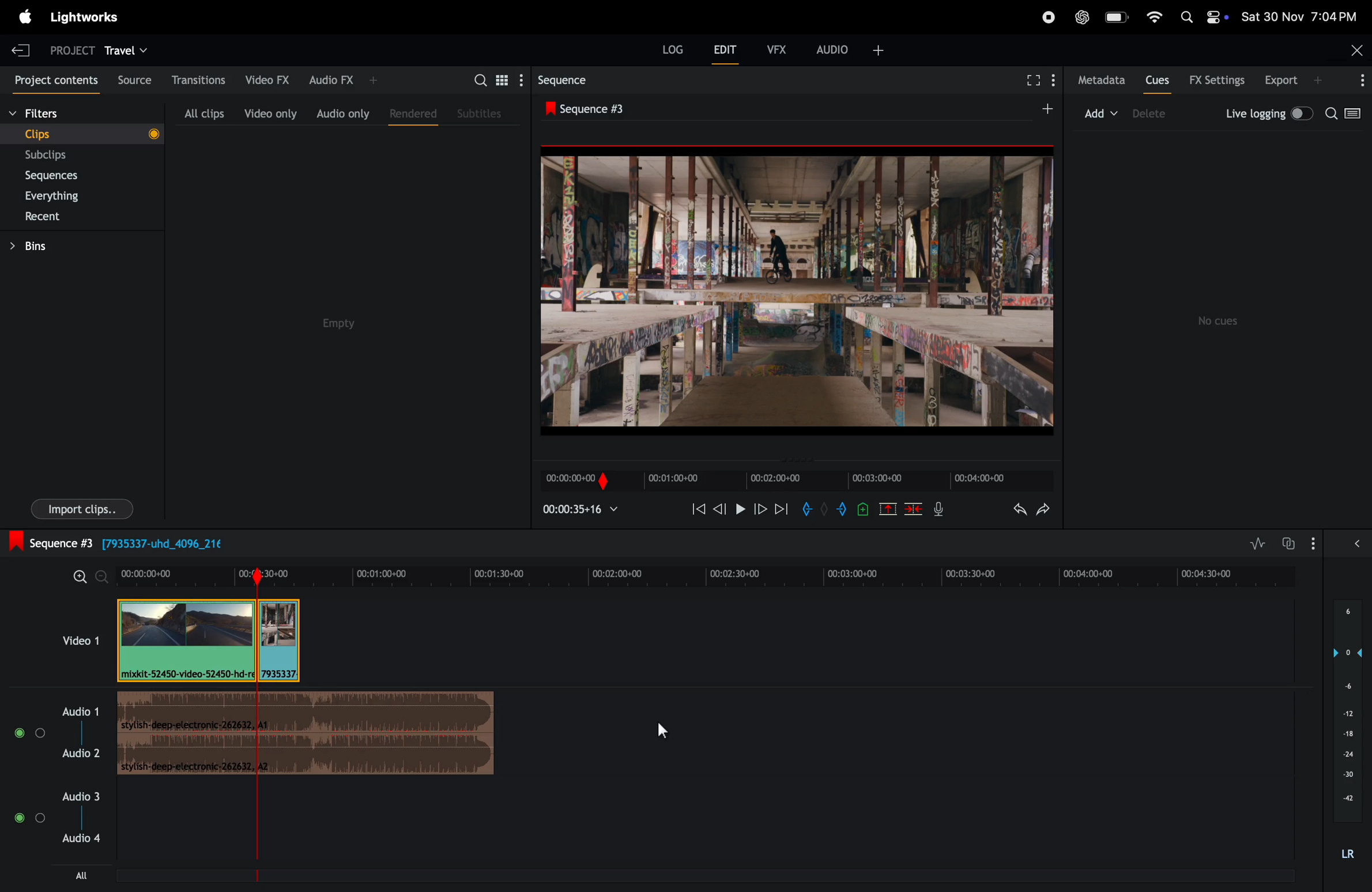  Describe the element at coordinates (1117, 18) in the screenshot. I see `battery` at that location.